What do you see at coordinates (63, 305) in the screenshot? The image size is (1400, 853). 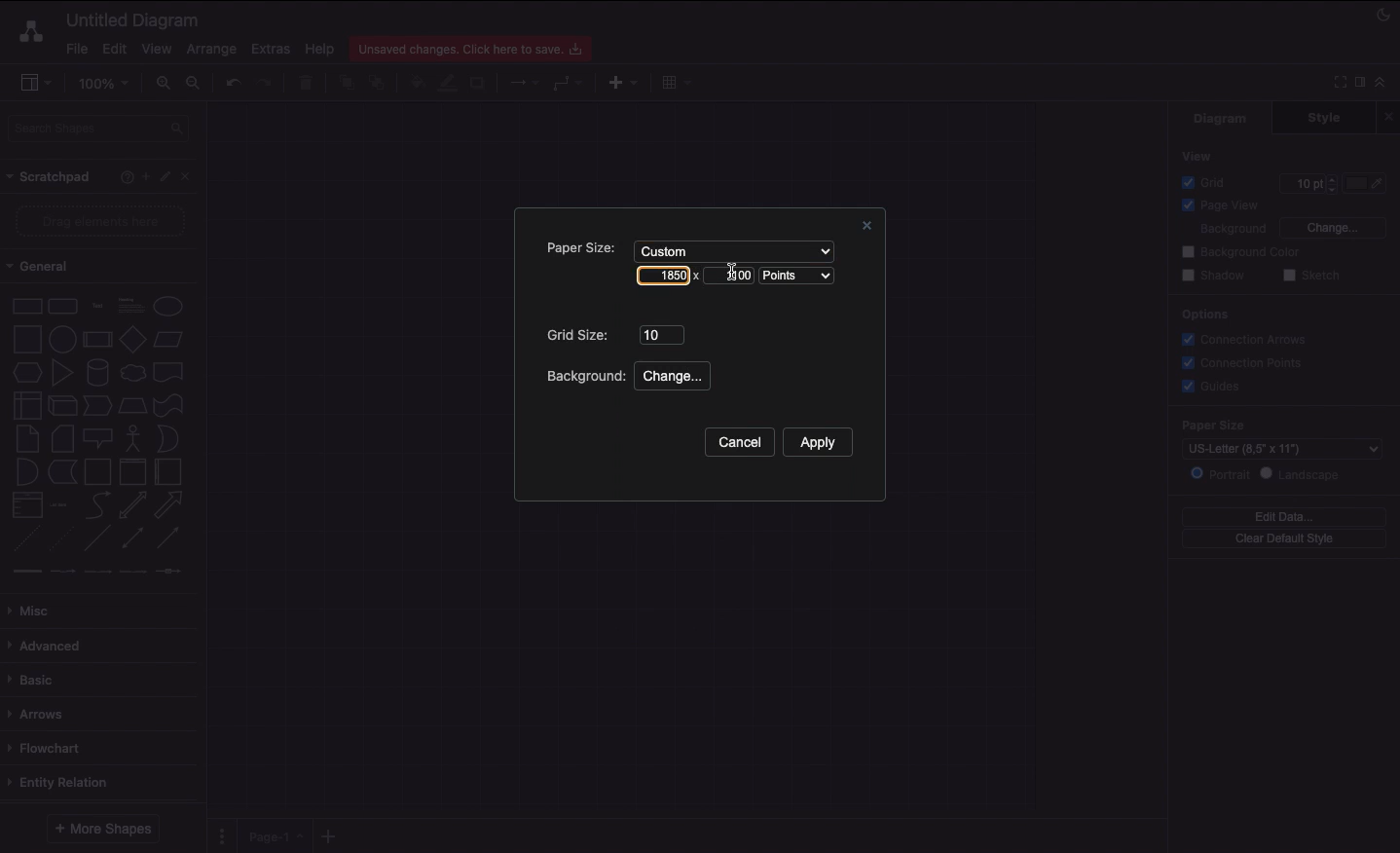 I see `Rounded rectangle` at bounding box center [63, 305].